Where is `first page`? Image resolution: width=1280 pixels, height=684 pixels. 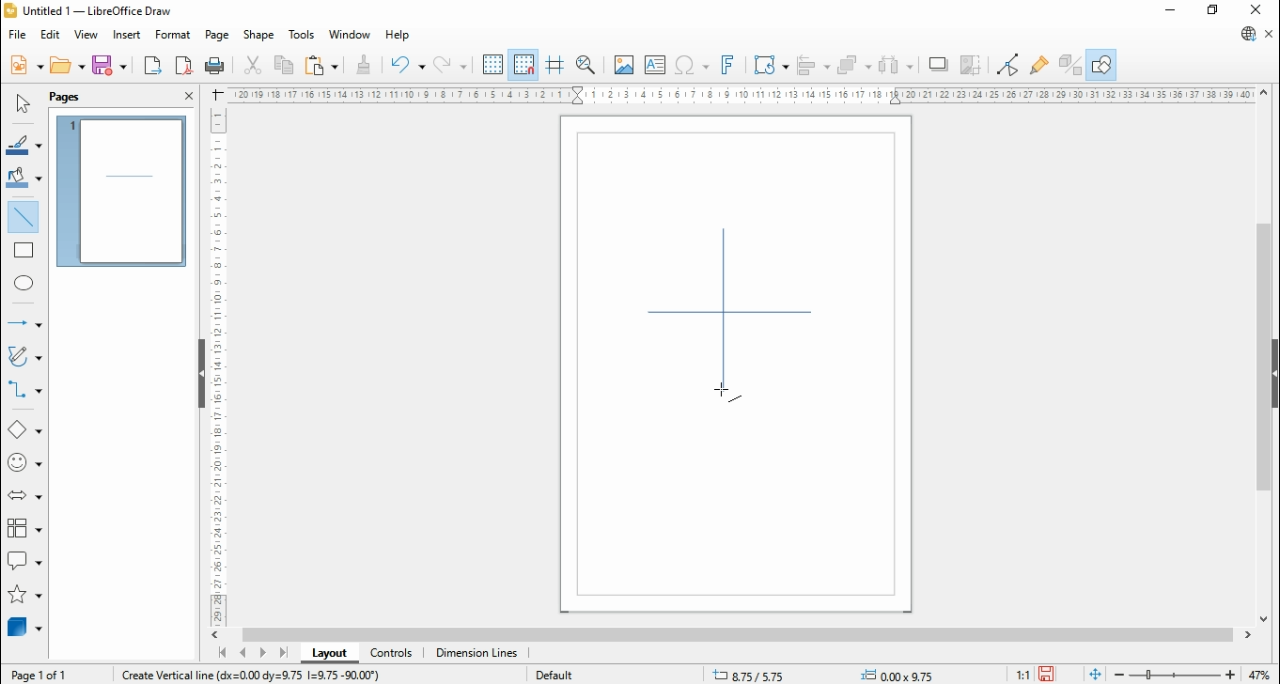
first page is located at coordinates (220, 653).